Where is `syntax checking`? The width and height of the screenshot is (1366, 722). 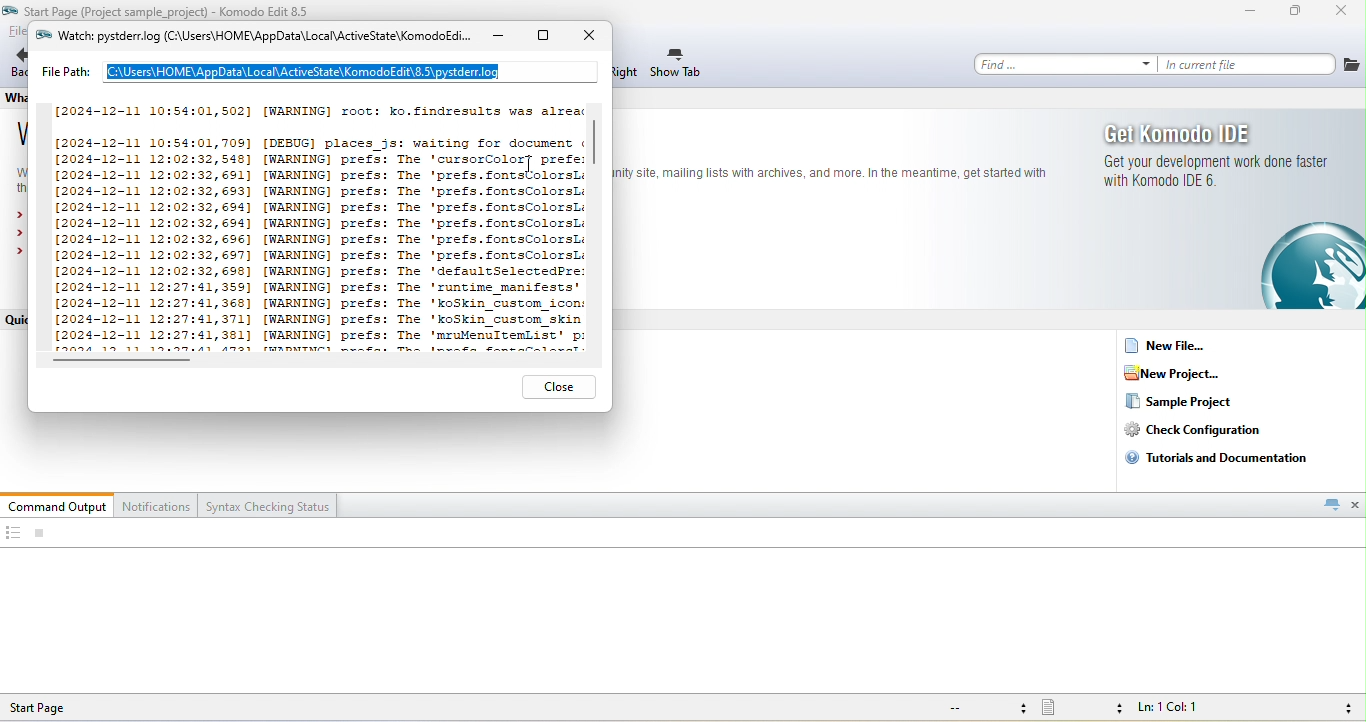 syntax checking is located at coordinates (1343, 708).